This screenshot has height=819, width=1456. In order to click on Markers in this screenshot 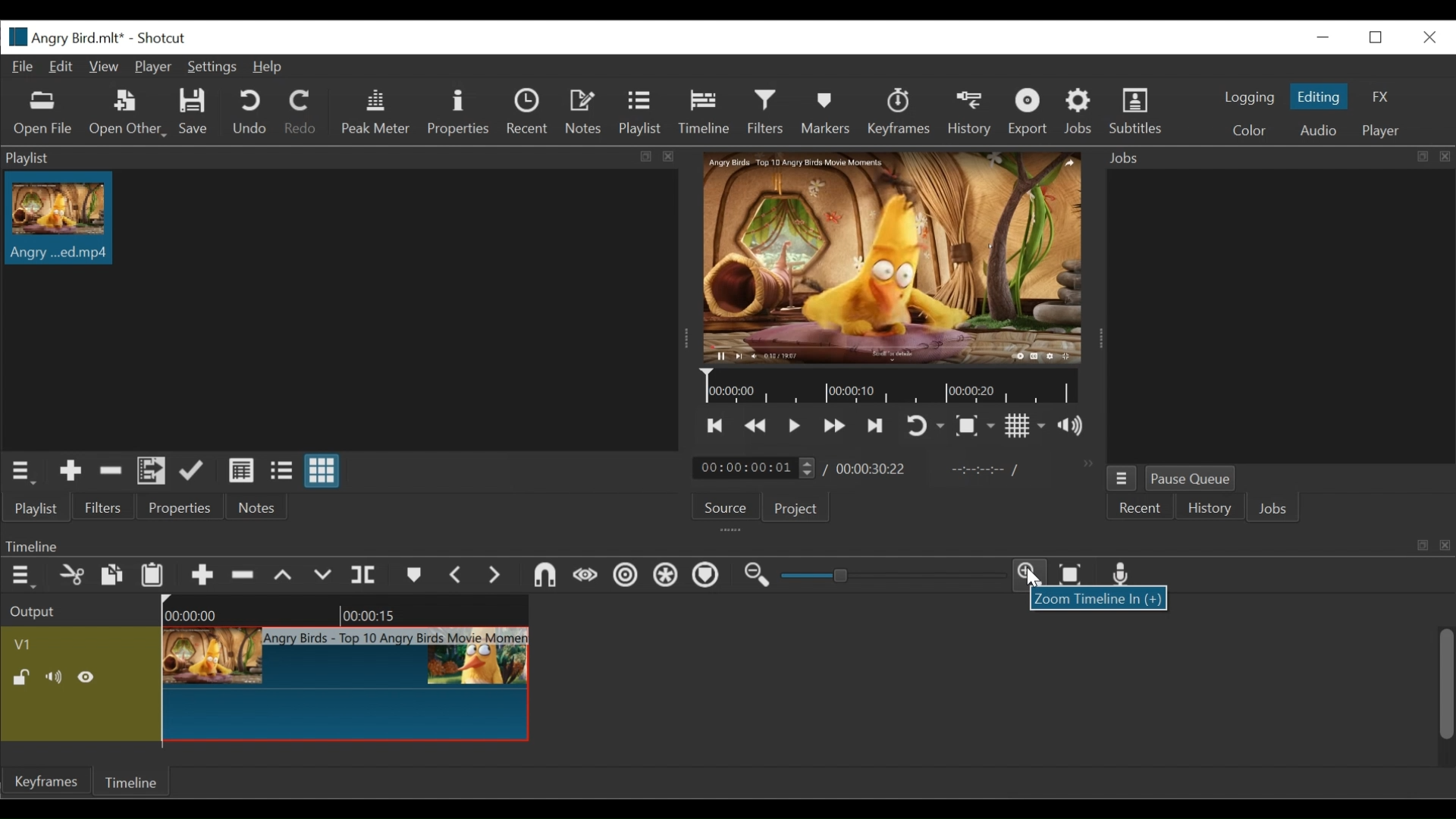, I will do `click(415, 576)`.